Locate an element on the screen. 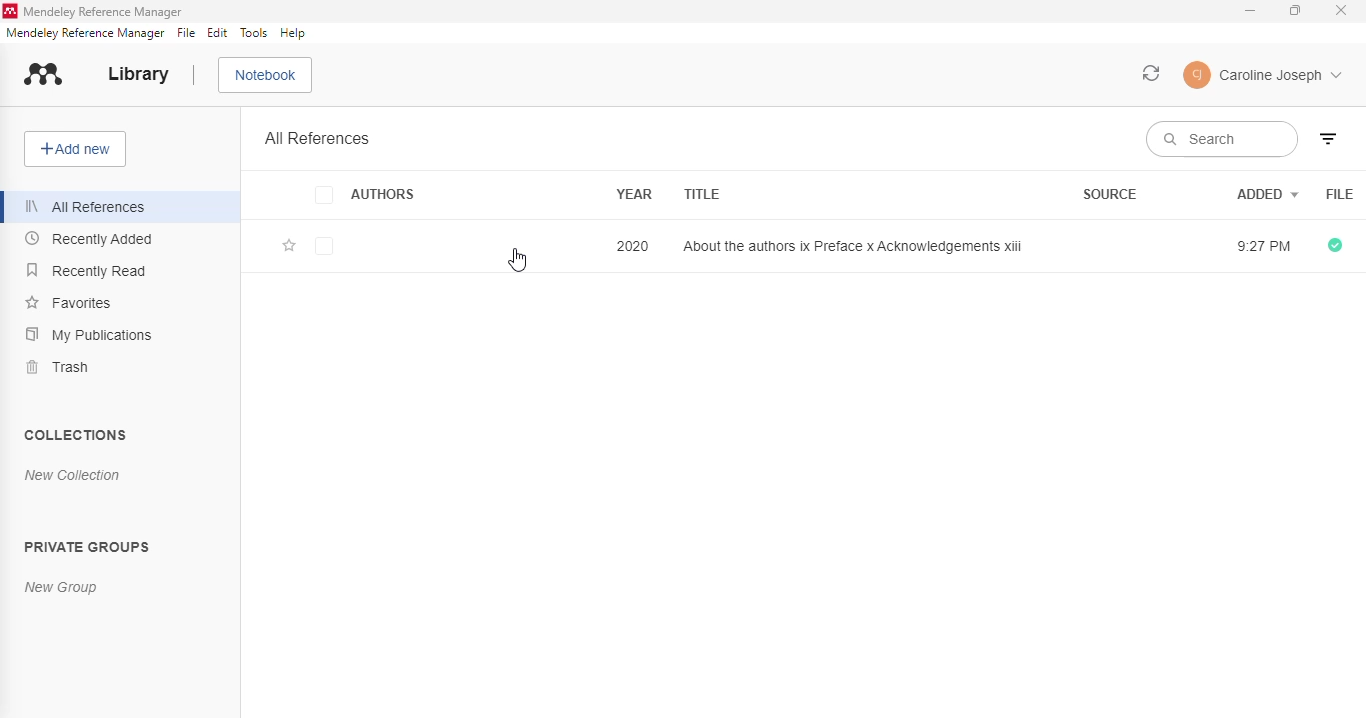  add new is located at coordinates (75, 149).